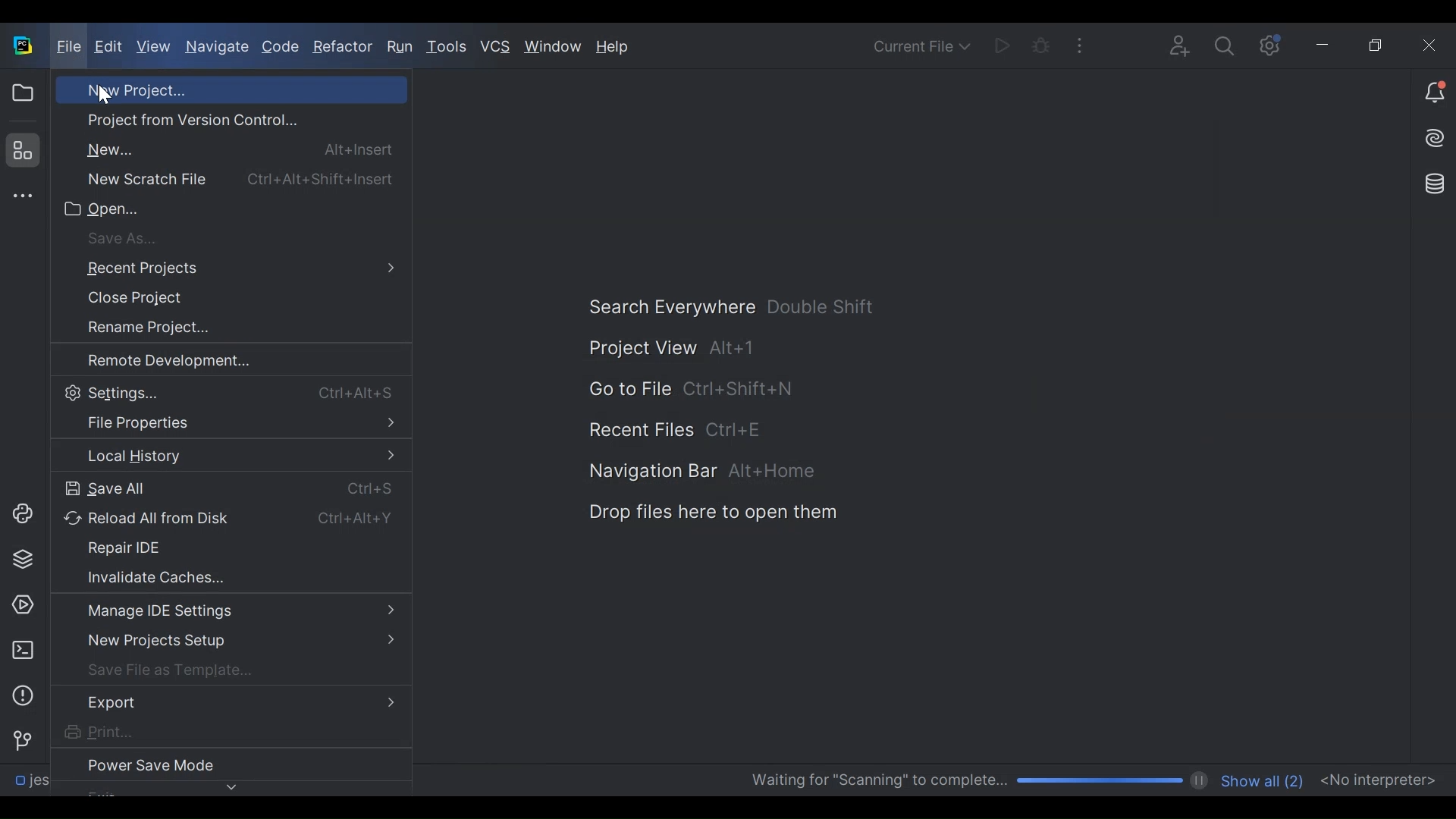 This screenshot has width=1456, height=819. I want to click on Local History, so click(231, 457).